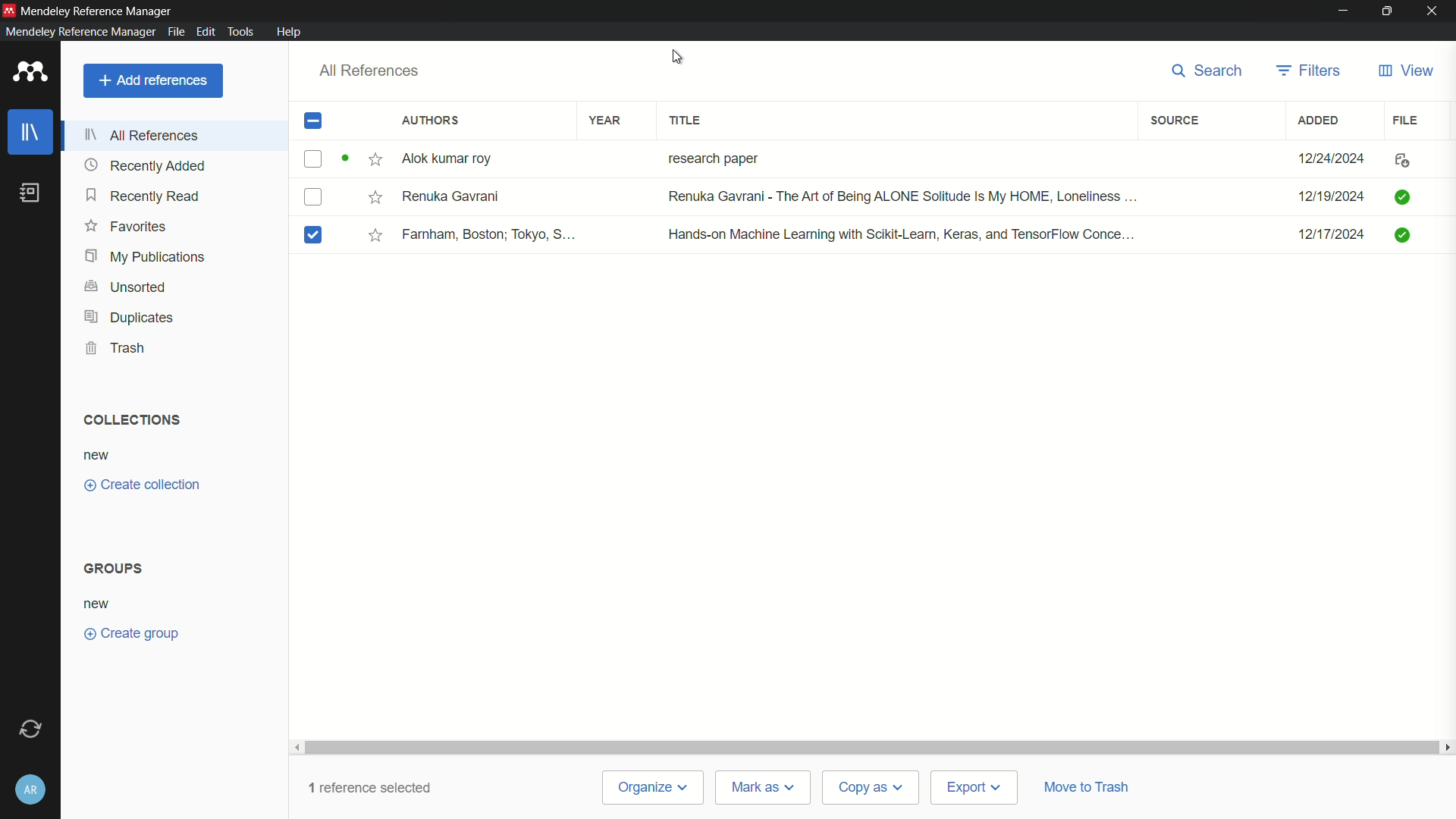 This screenshot has width=1456, height=819. Describe the element at coordinates (81, 31) in the screenshot. I see `Mendeley Reference Manager` at that location.